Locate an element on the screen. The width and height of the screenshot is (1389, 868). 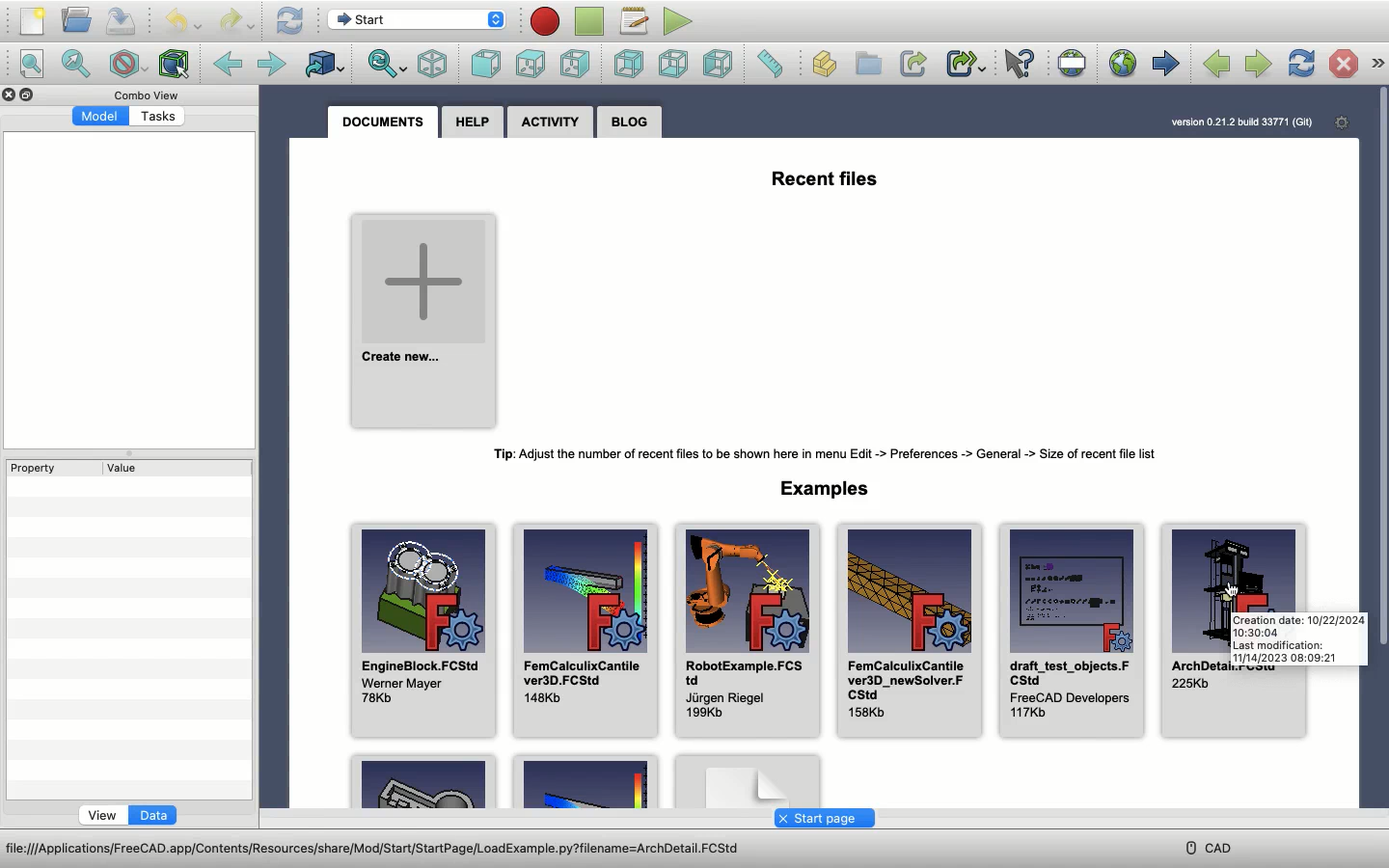
Example is located at coordinates (747, 779).